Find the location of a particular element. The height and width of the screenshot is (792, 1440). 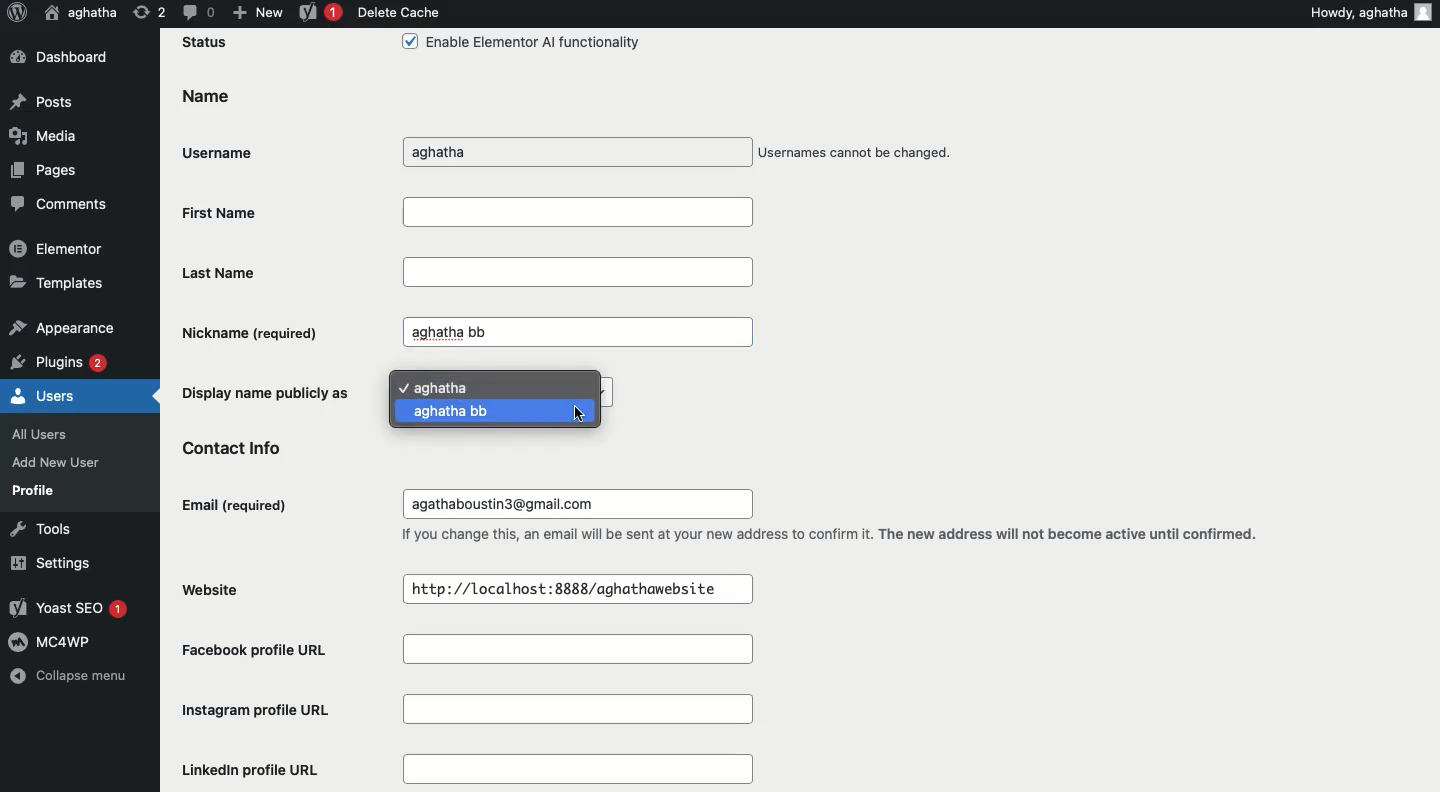

Username is located at coordinates (224, 149).